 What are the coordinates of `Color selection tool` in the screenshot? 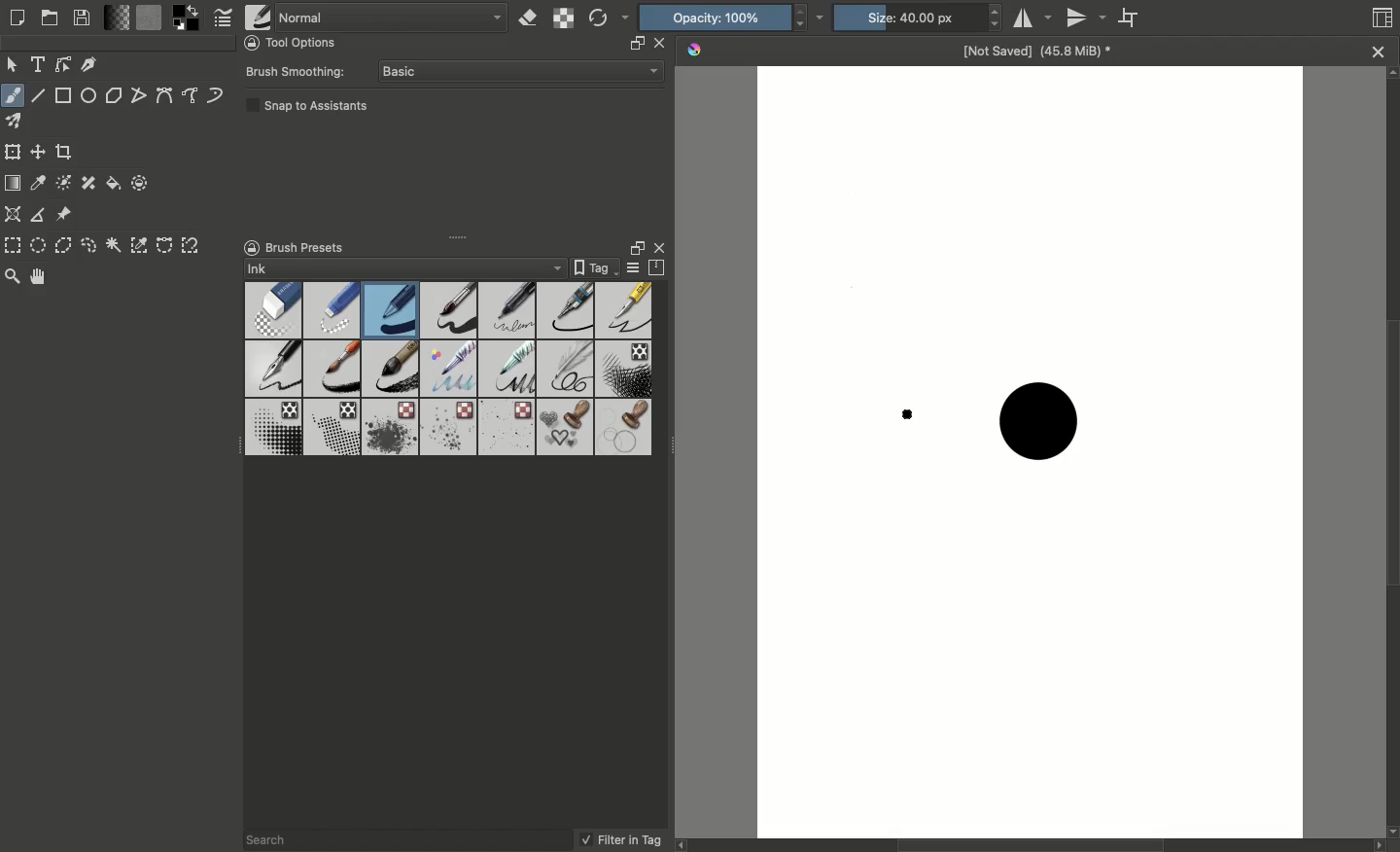 It's located at (140, 244).